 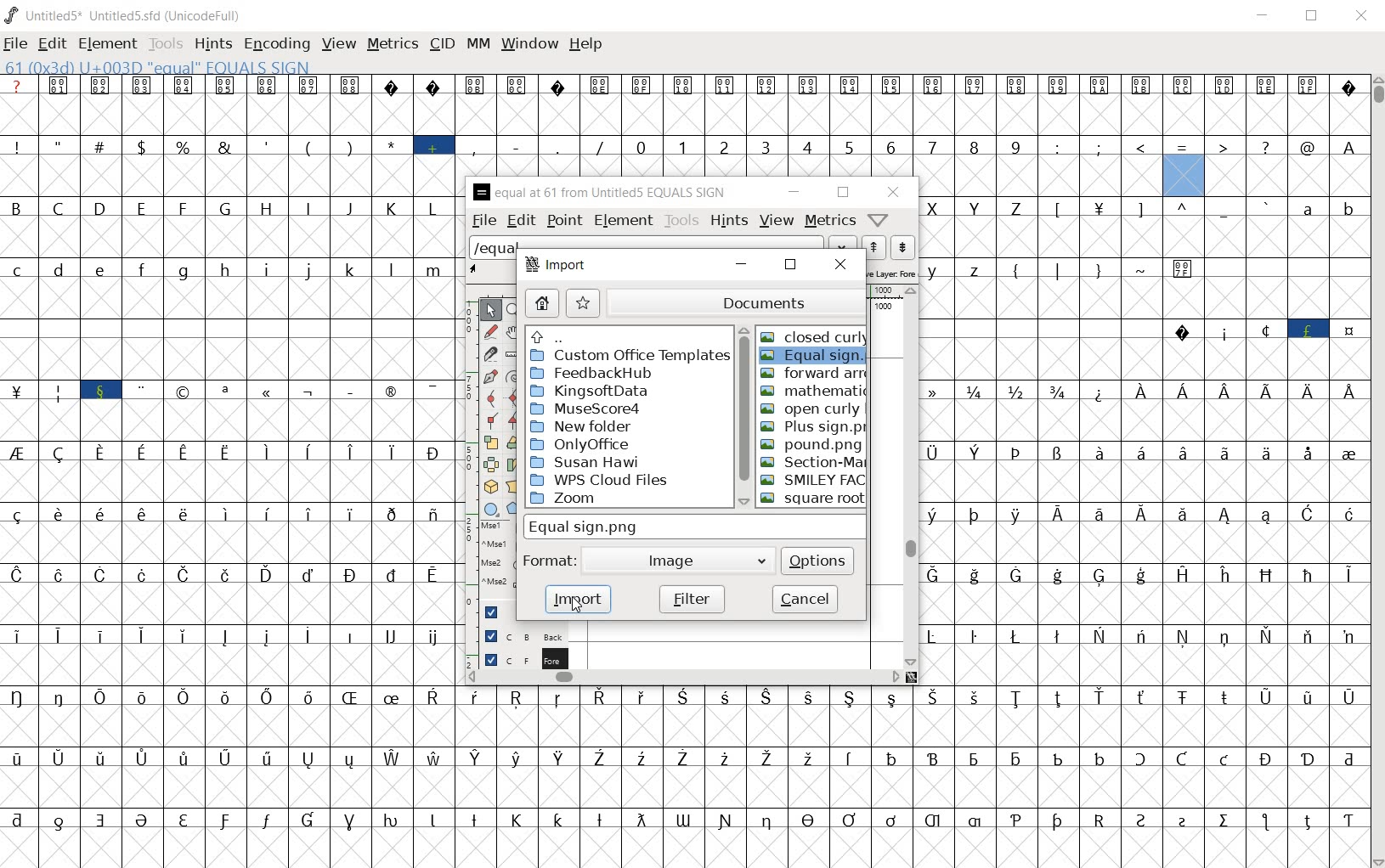 I want to click on glyph characters, so click(x=1145, y=441).